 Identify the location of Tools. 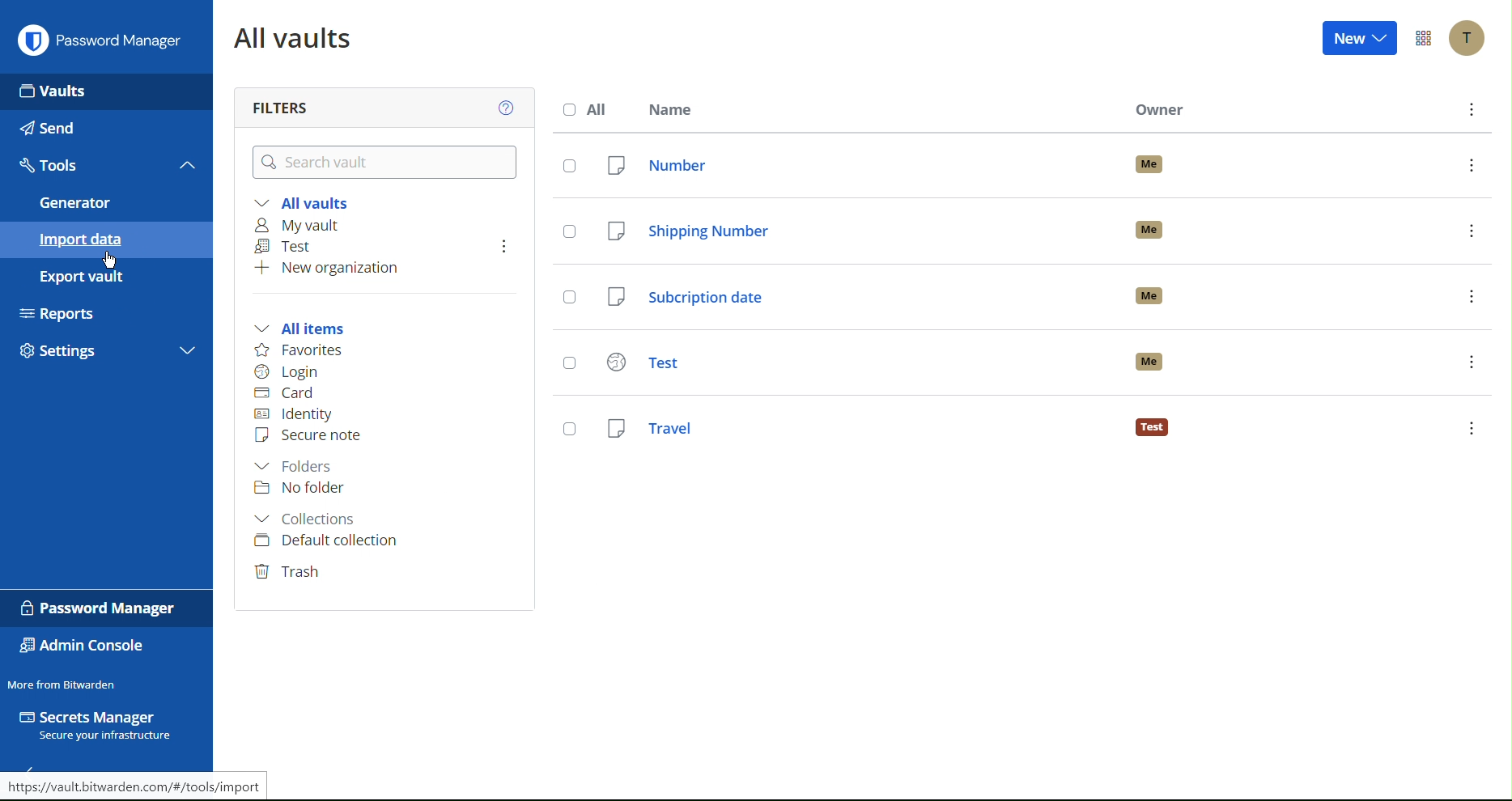
(86, 165).